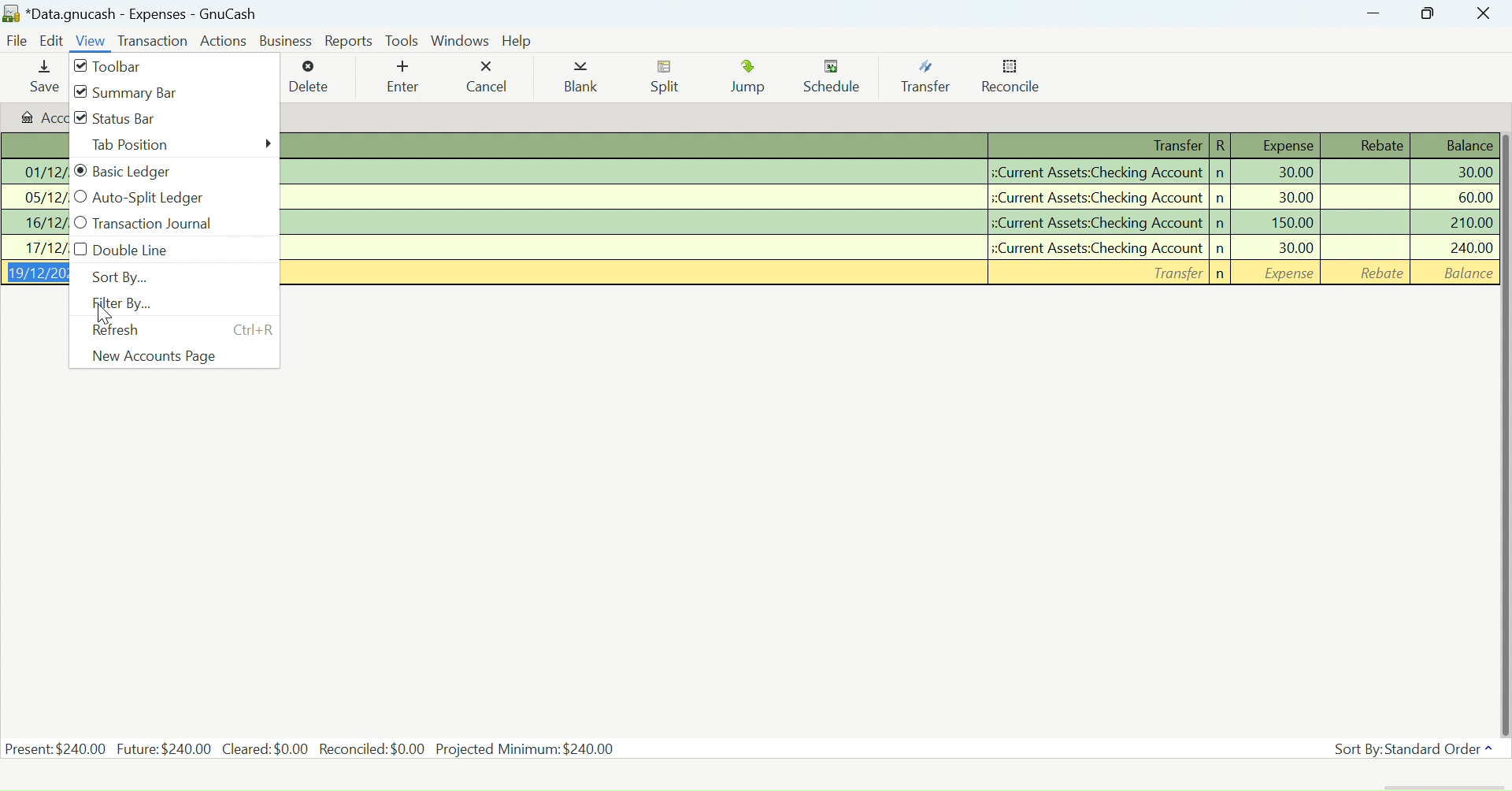 The width and height of the screenshot is (1512, 791). What do you see at coordinates (931, 77) in the screenshot?
I see `Transfer` at bounding box center [931, 77].